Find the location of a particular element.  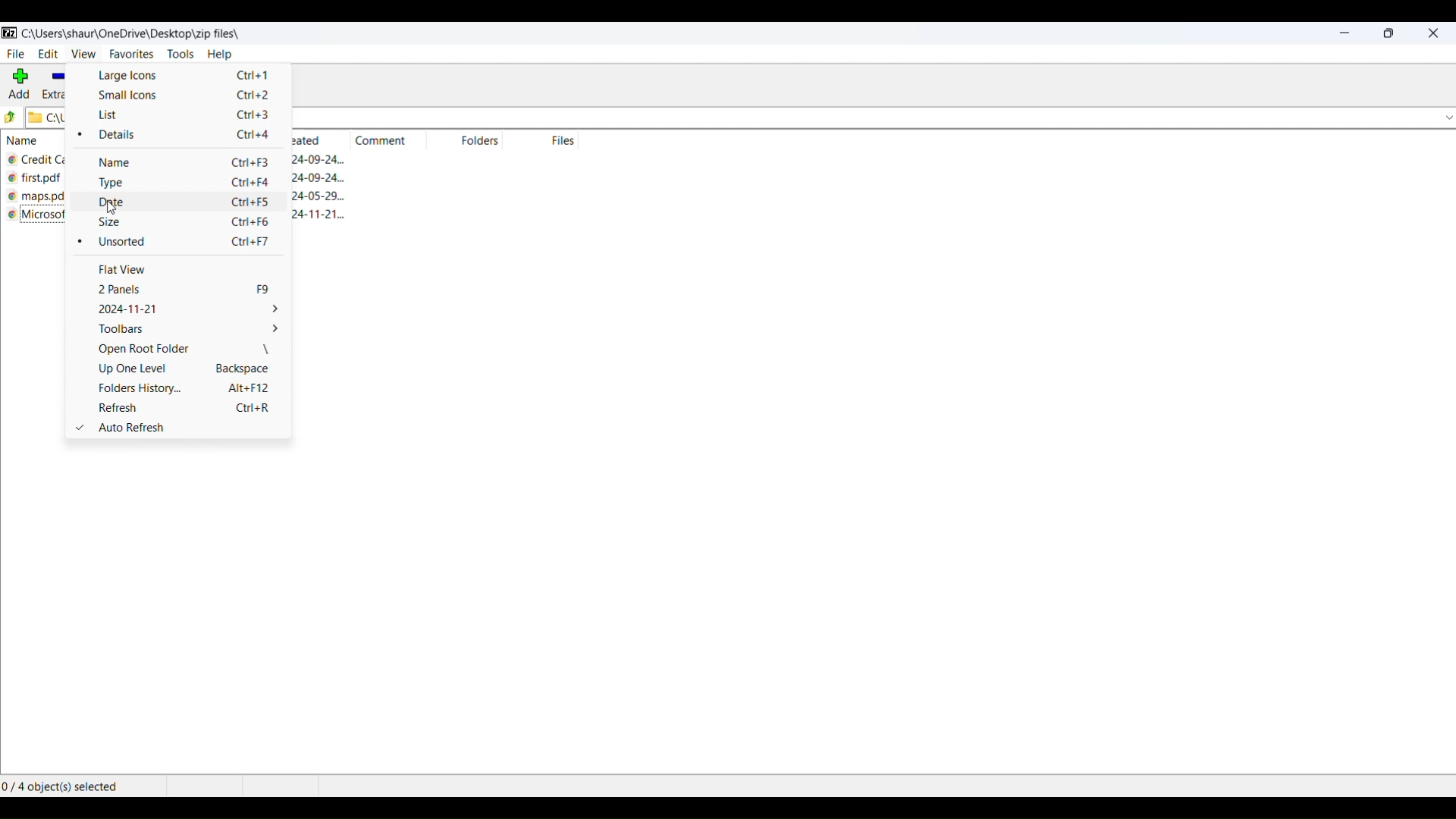

files is located at coordinates (568, 140).